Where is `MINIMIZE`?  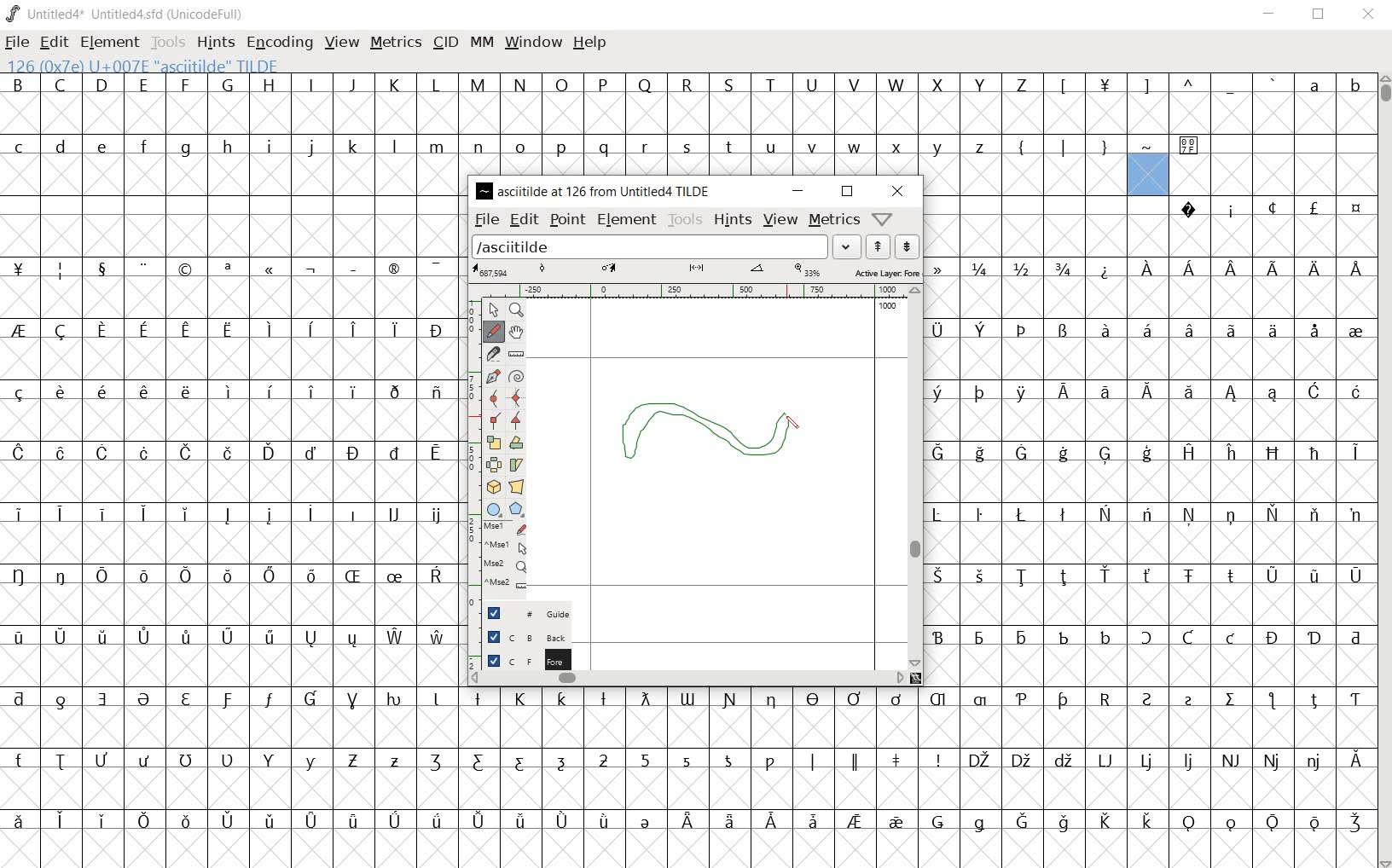
MINIMIZE is located at coordinates (1272, 16).